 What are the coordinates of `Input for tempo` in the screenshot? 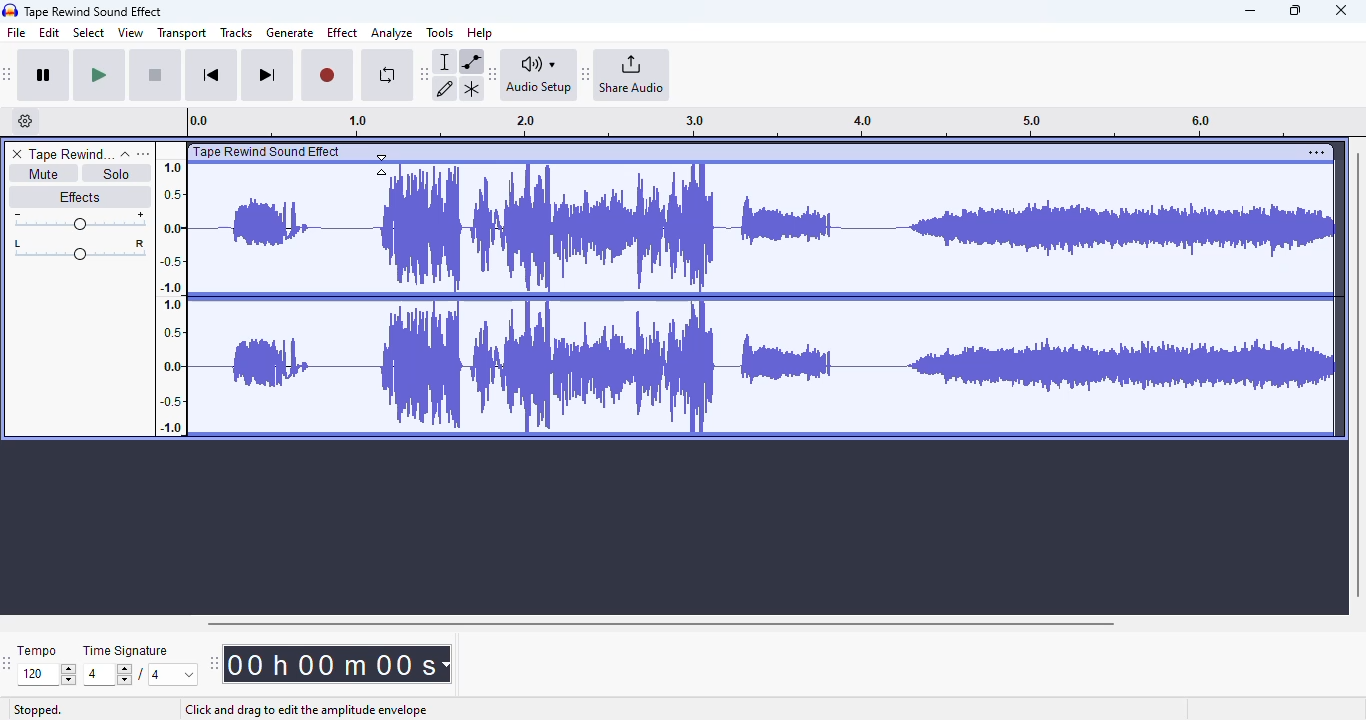 It's located at (46, 675).